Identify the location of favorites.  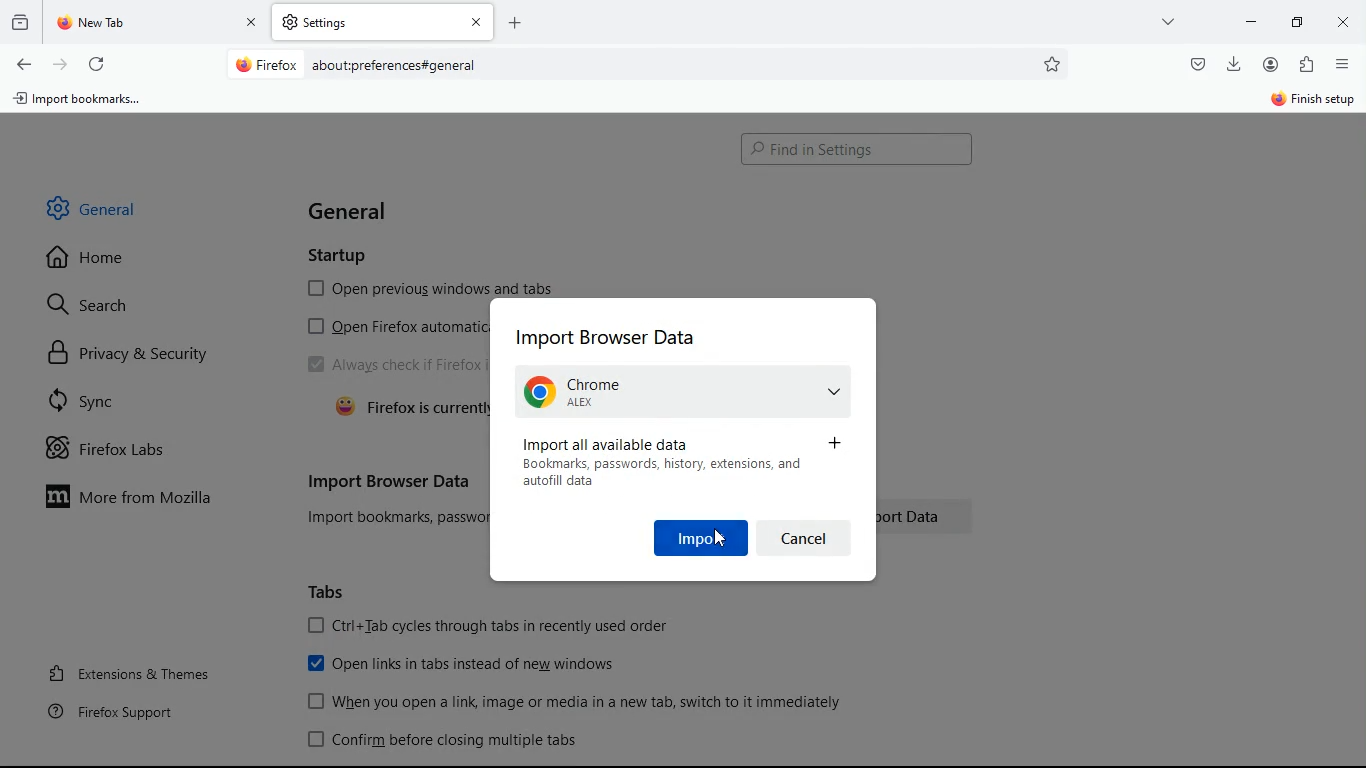
(1053, 64).